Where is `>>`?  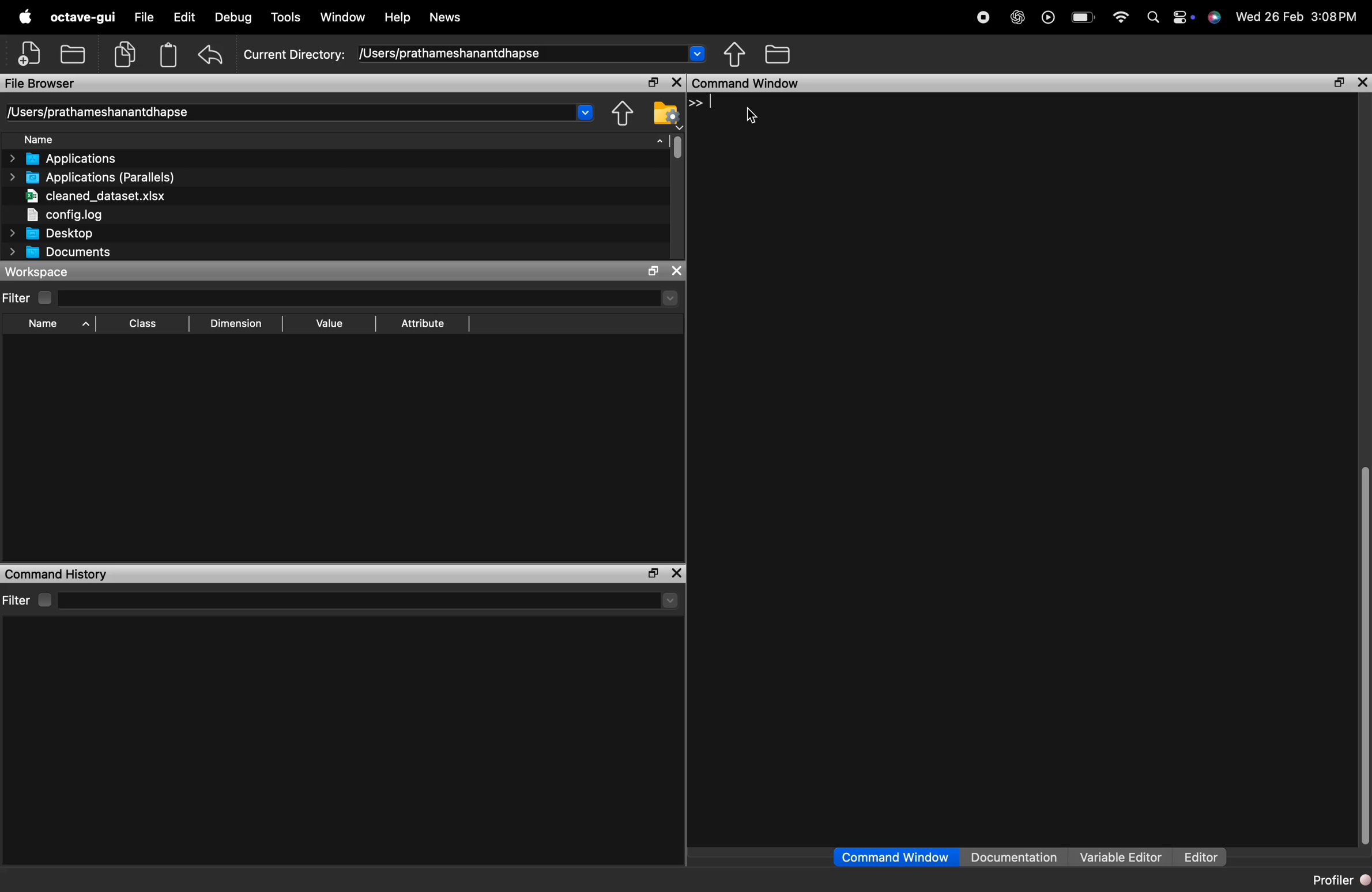 >> is located at coordinates (701, 103).